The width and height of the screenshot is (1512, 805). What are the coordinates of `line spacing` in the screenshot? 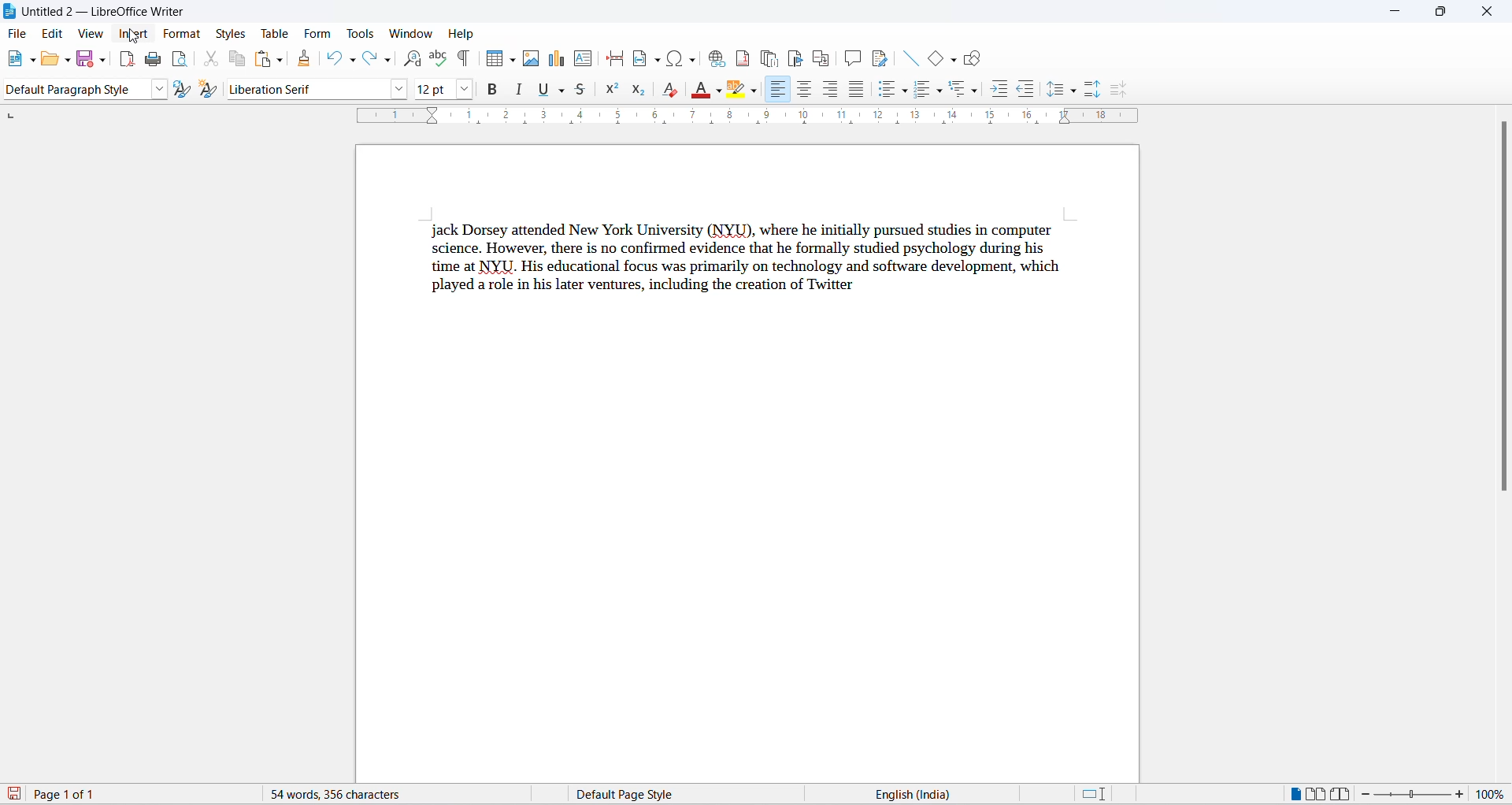 It's located at (1054, 90).